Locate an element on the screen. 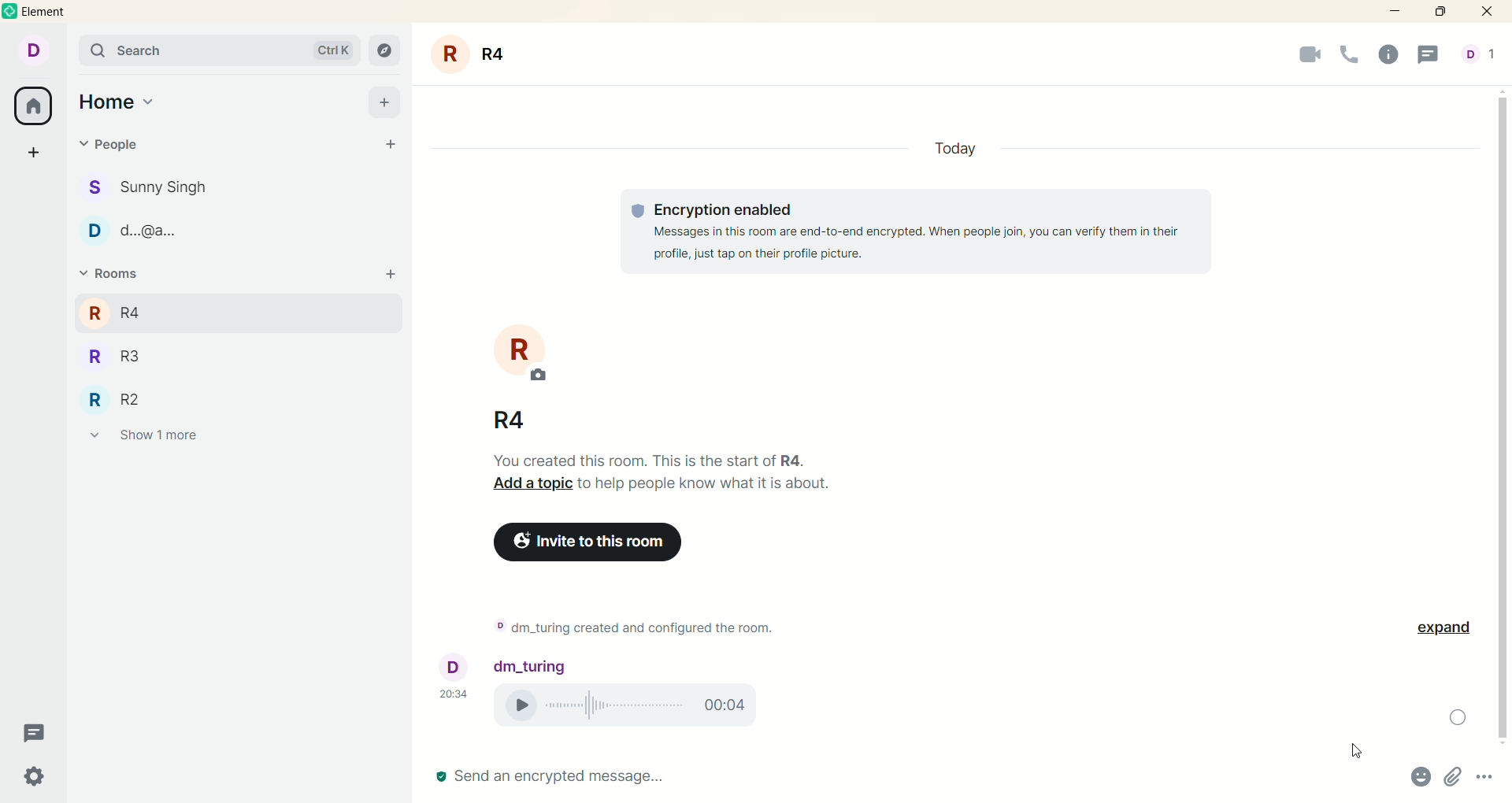 This screenshot has height=803, width=1512. emoji is located at coordinates (1424, 778).